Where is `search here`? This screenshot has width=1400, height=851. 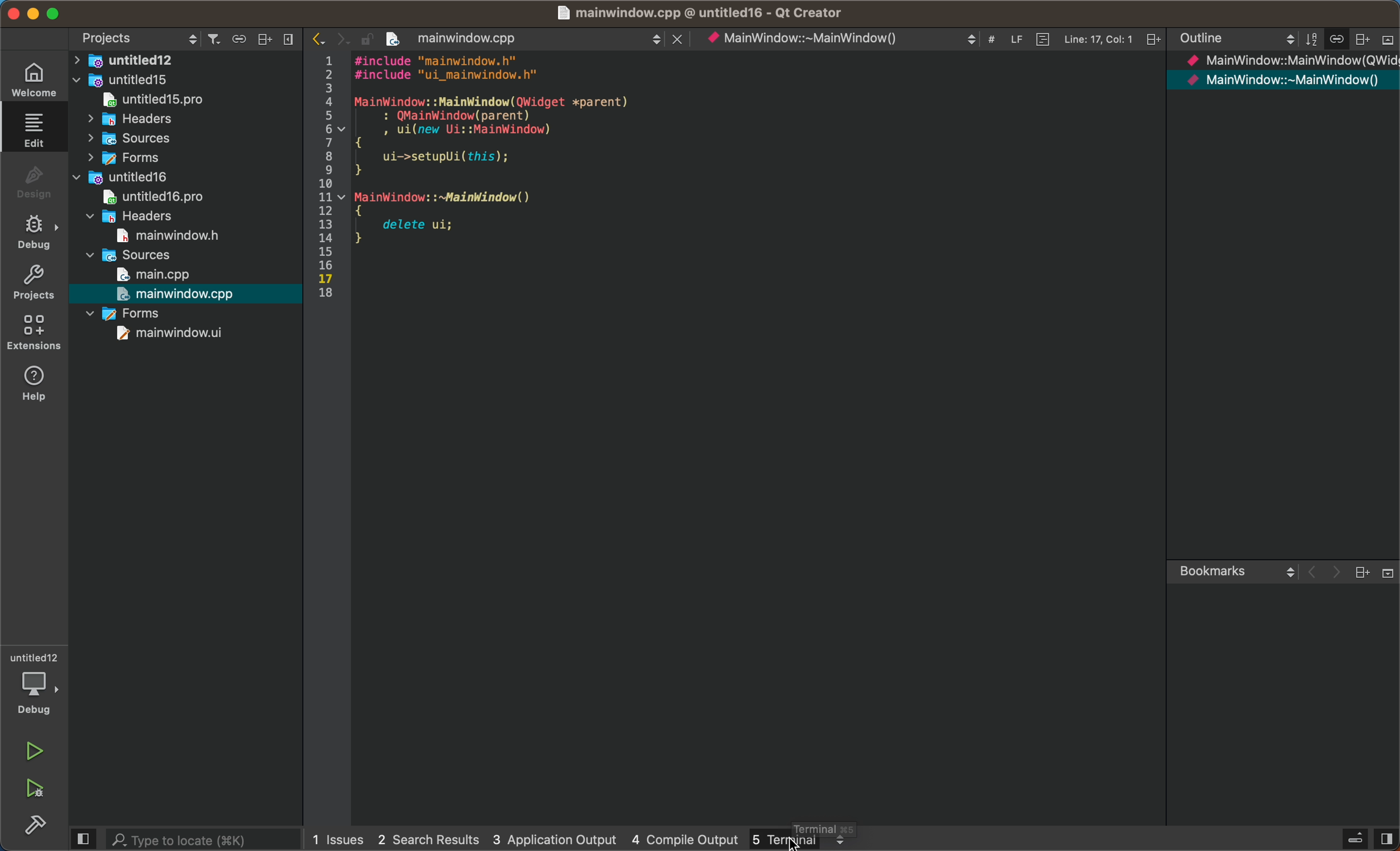
search here is located at coordinates (198, 838).